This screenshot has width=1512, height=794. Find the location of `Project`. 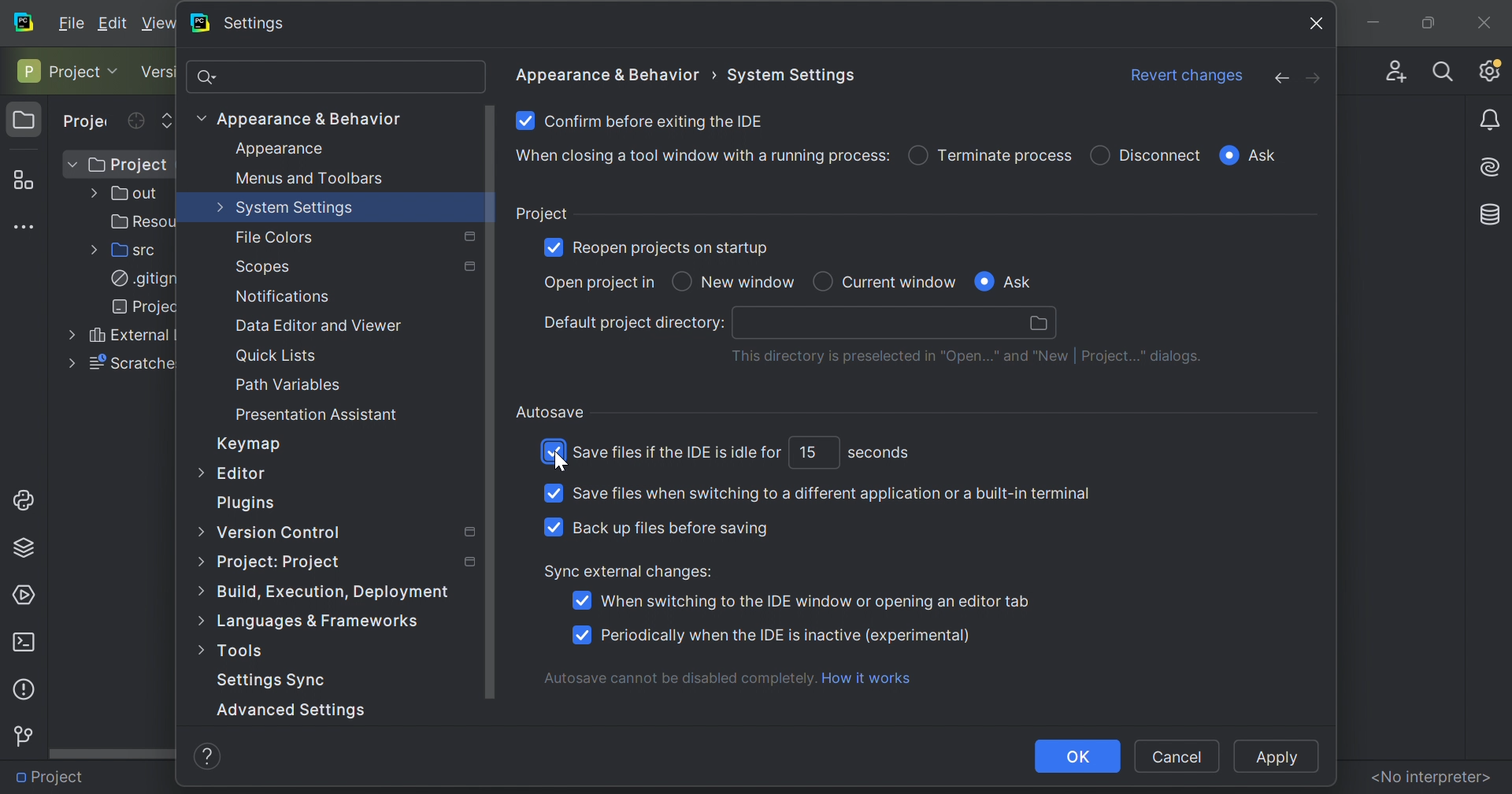

Project is located at coordinates (542, 212).